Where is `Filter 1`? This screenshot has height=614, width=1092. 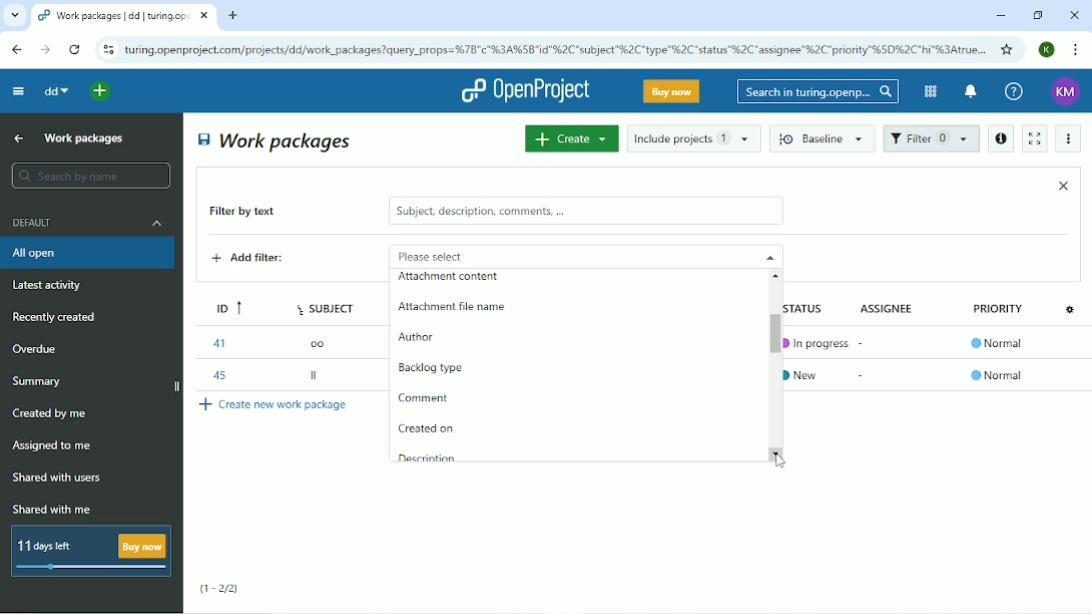 Filter 1 is located at coordinates (931, 140).